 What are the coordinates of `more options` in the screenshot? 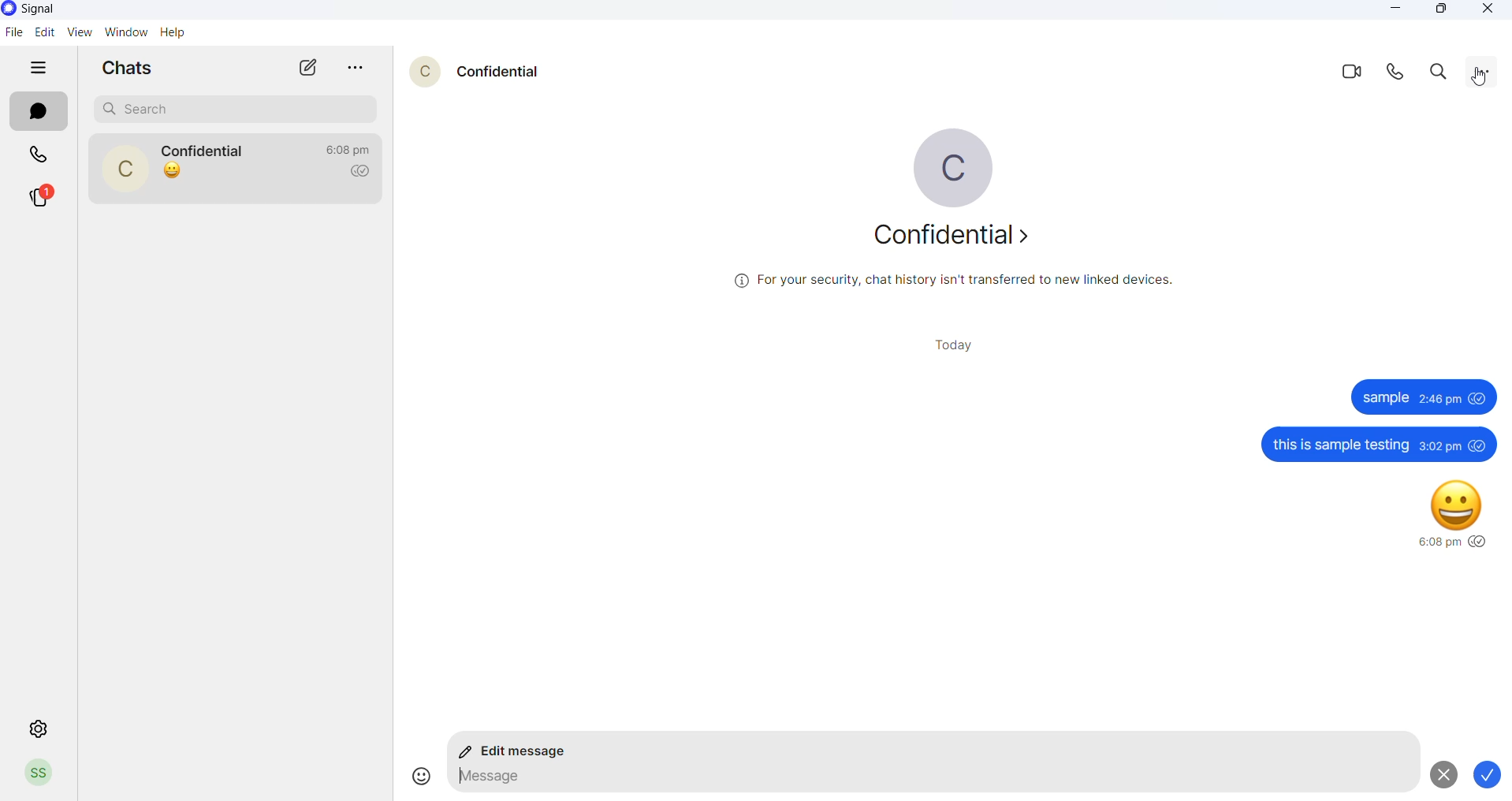 It's located at (1482, 72).